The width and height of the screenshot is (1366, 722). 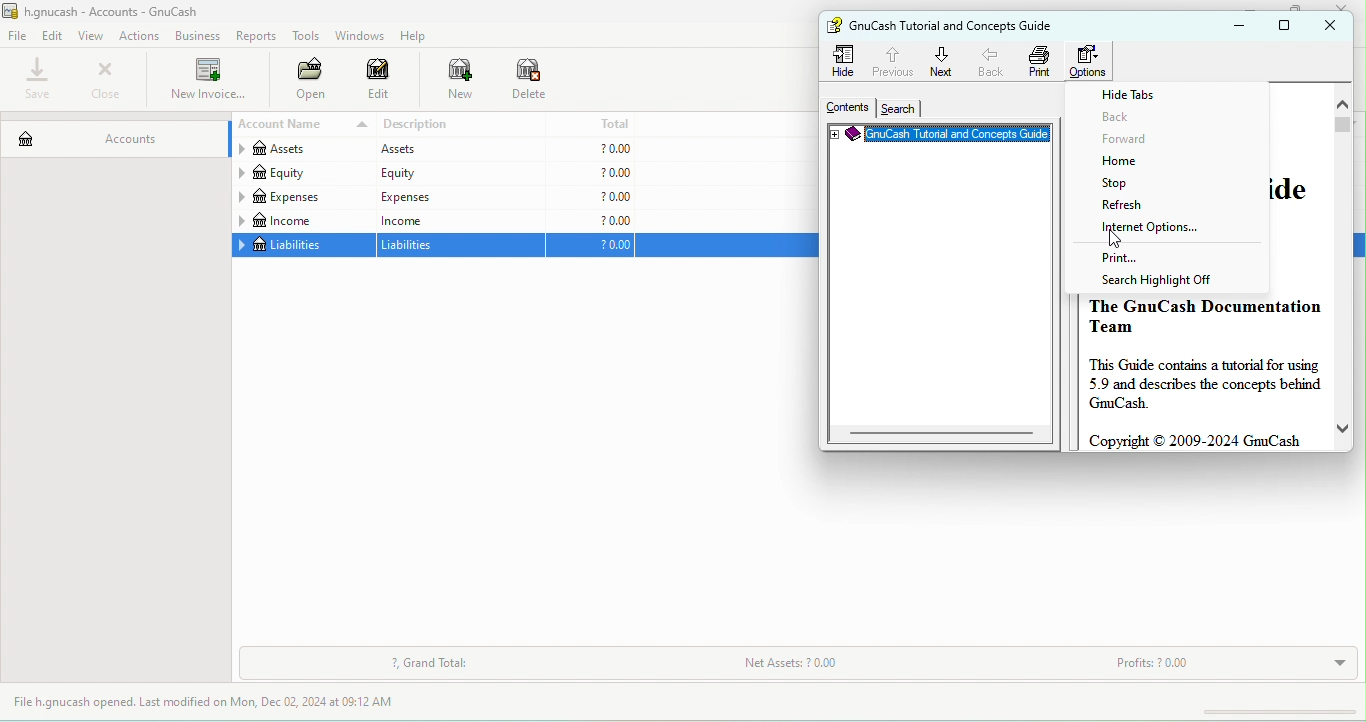 What do you see at coordinates (1148, 235) in the screenshot?
I see `internet option` at bounding box center [1148, 235].